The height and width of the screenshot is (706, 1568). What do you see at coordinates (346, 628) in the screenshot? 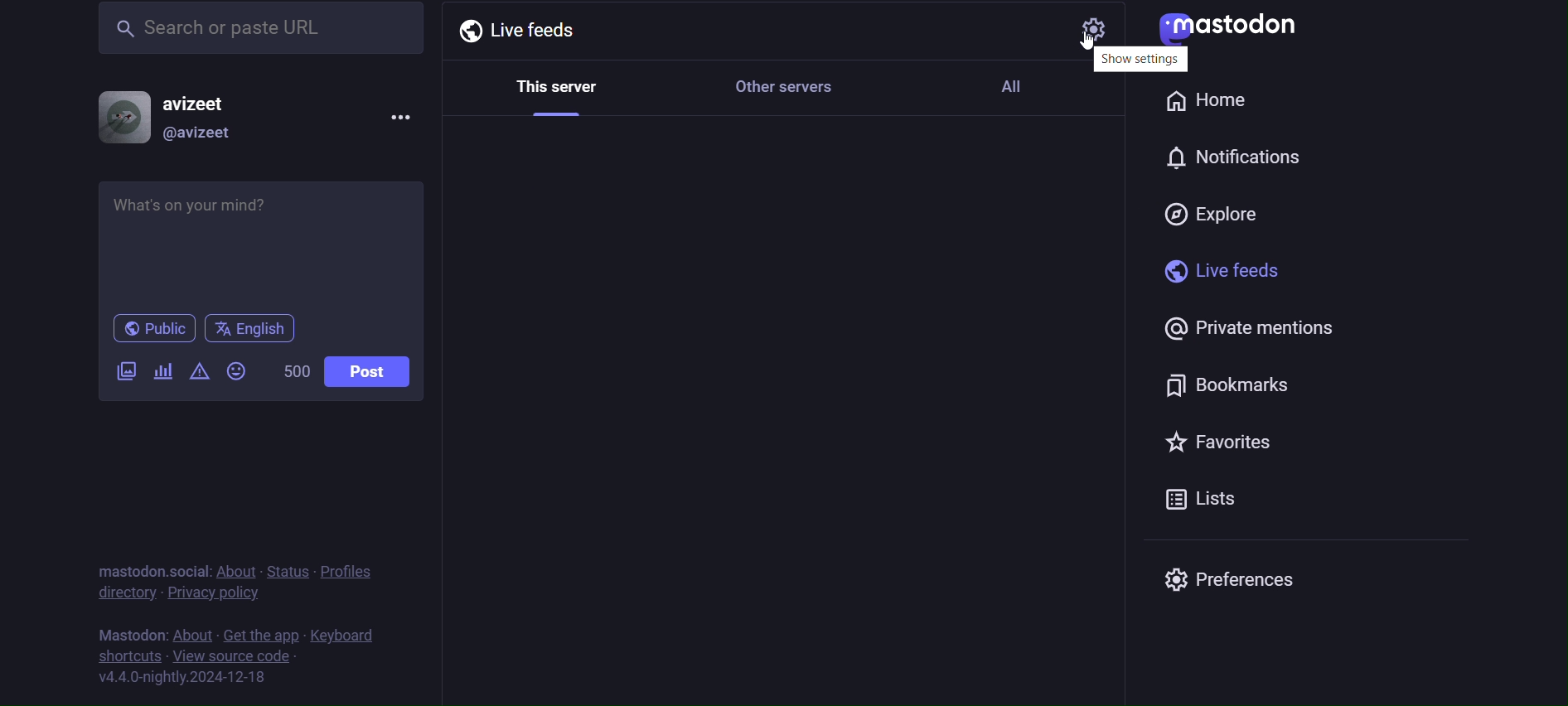
I see `keyboards` at bounding box center [346, 628].